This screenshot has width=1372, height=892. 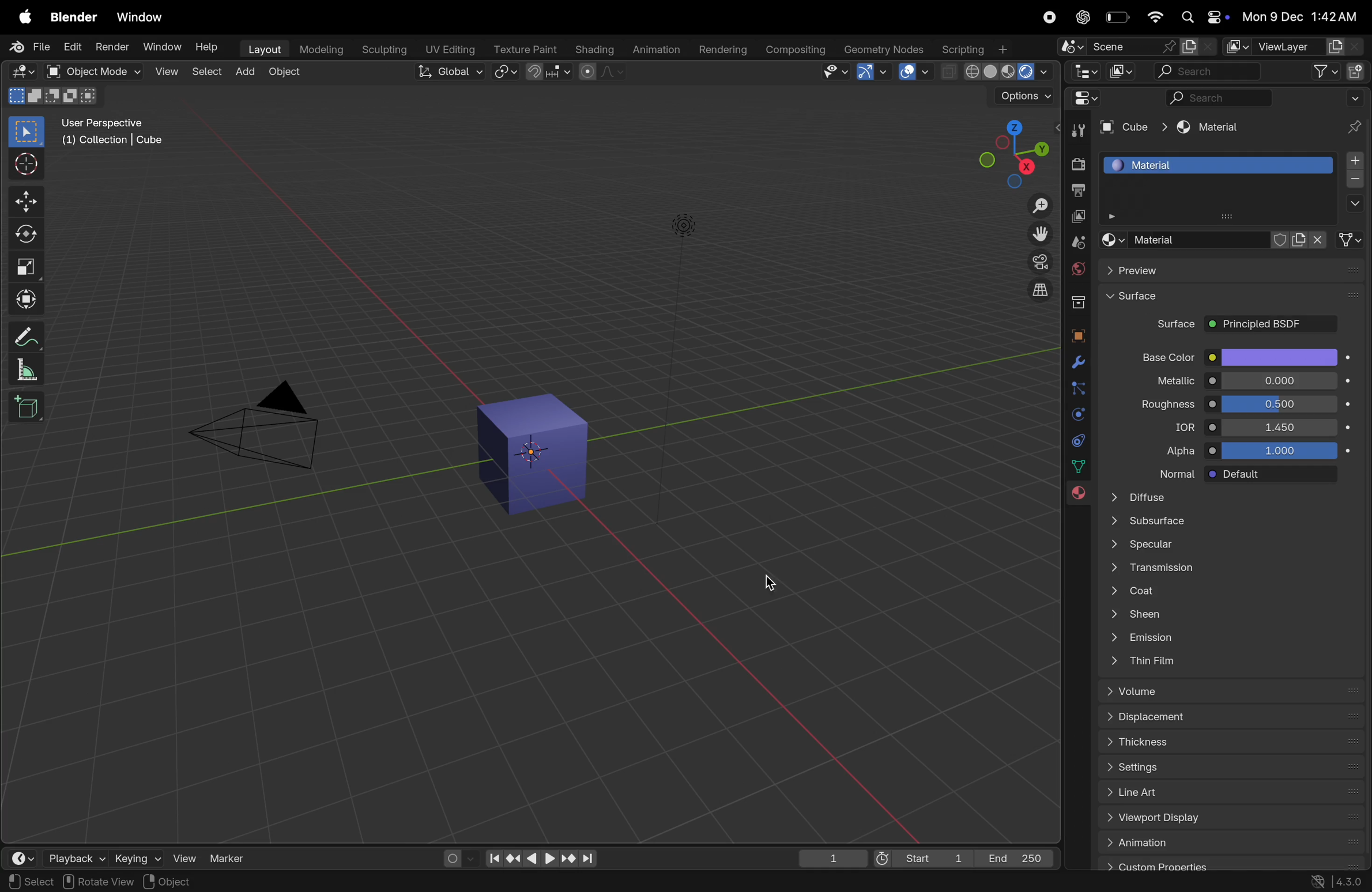 I want to click on displace meny, so click(x=1232, y=718).